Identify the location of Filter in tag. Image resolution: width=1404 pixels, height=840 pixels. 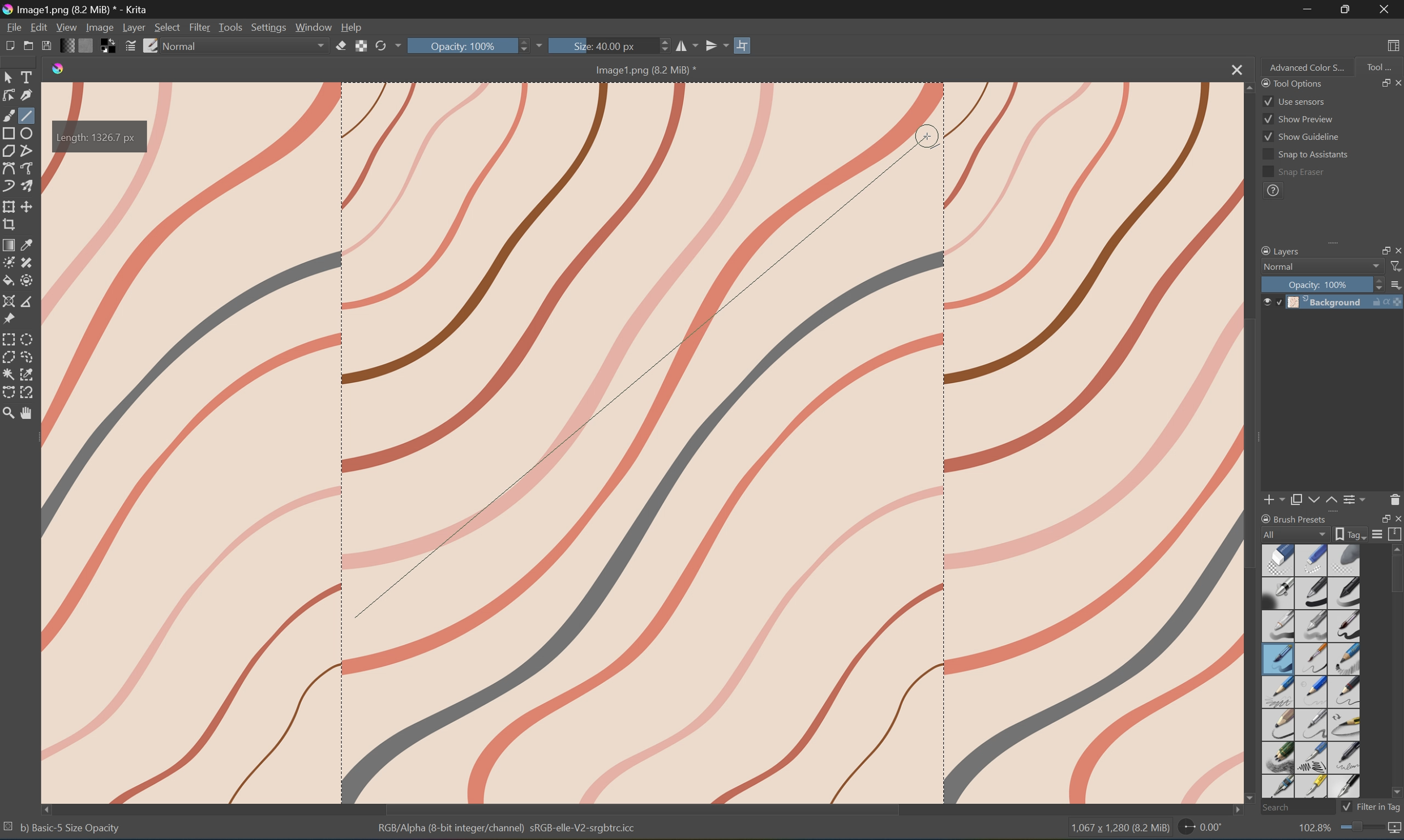
(1380, 807).